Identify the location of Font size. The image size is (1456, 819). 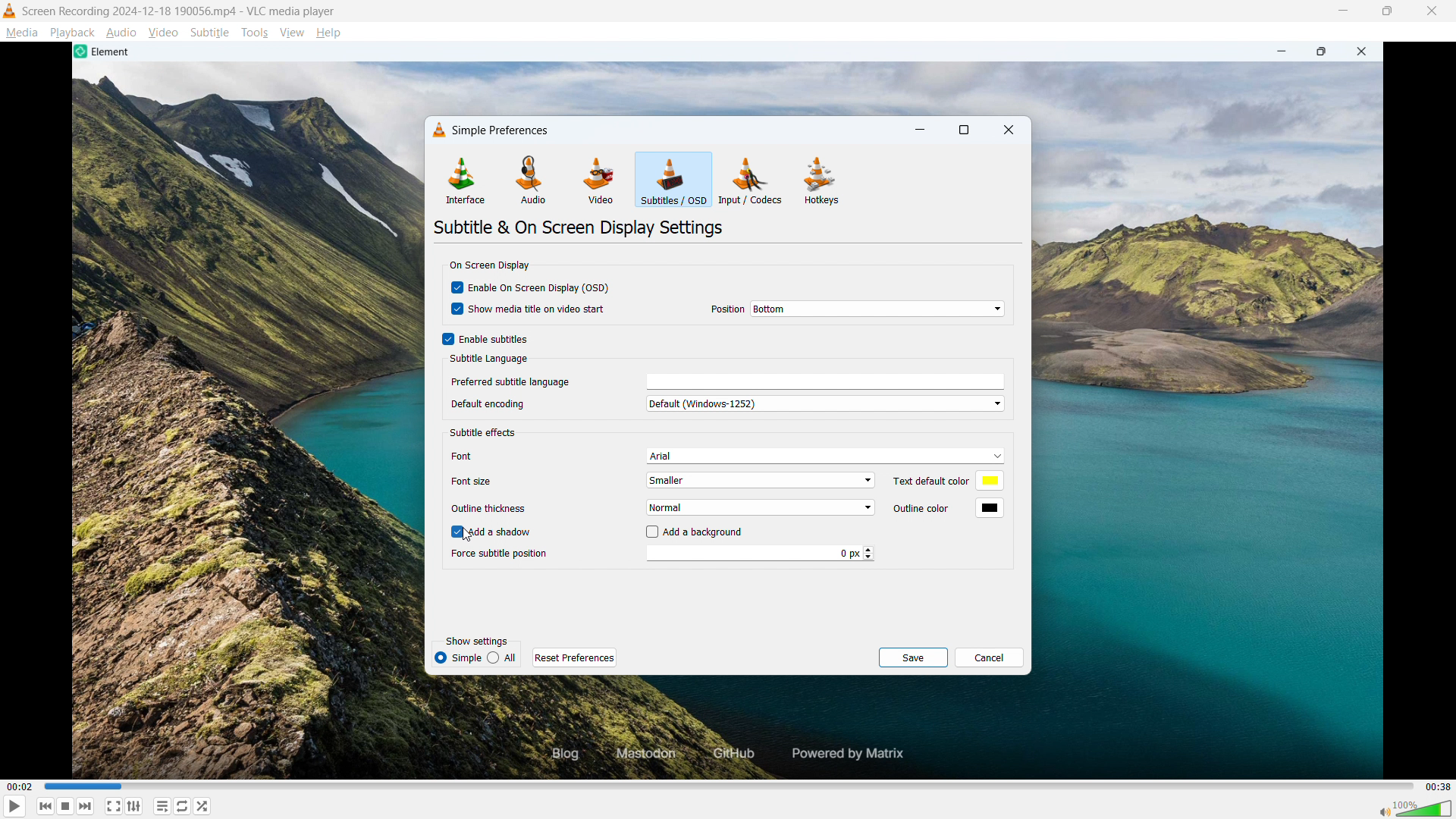
(497, 481).